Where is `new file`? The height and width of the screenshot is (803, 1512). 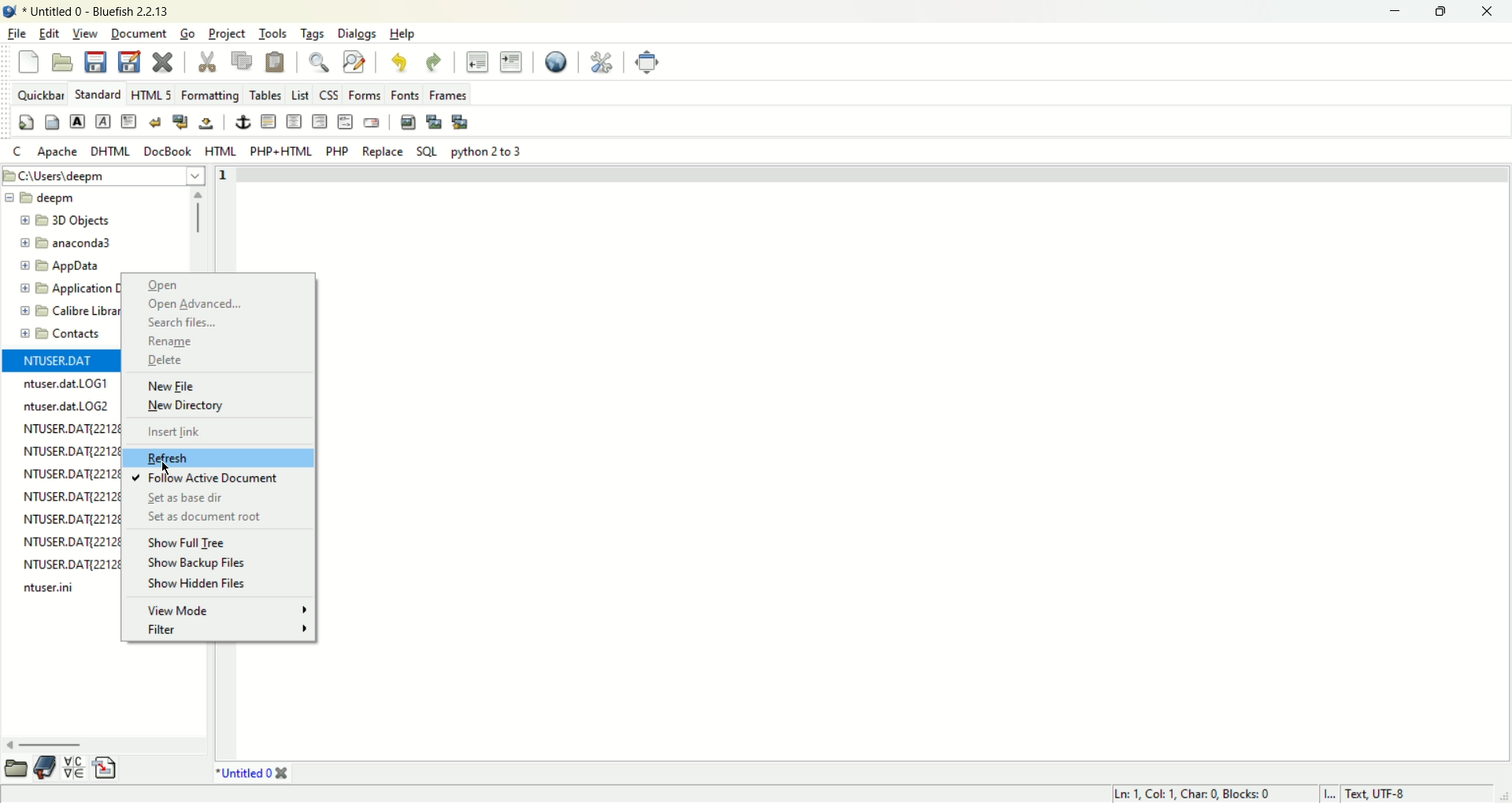
new file is located at coordinates (27, 61).